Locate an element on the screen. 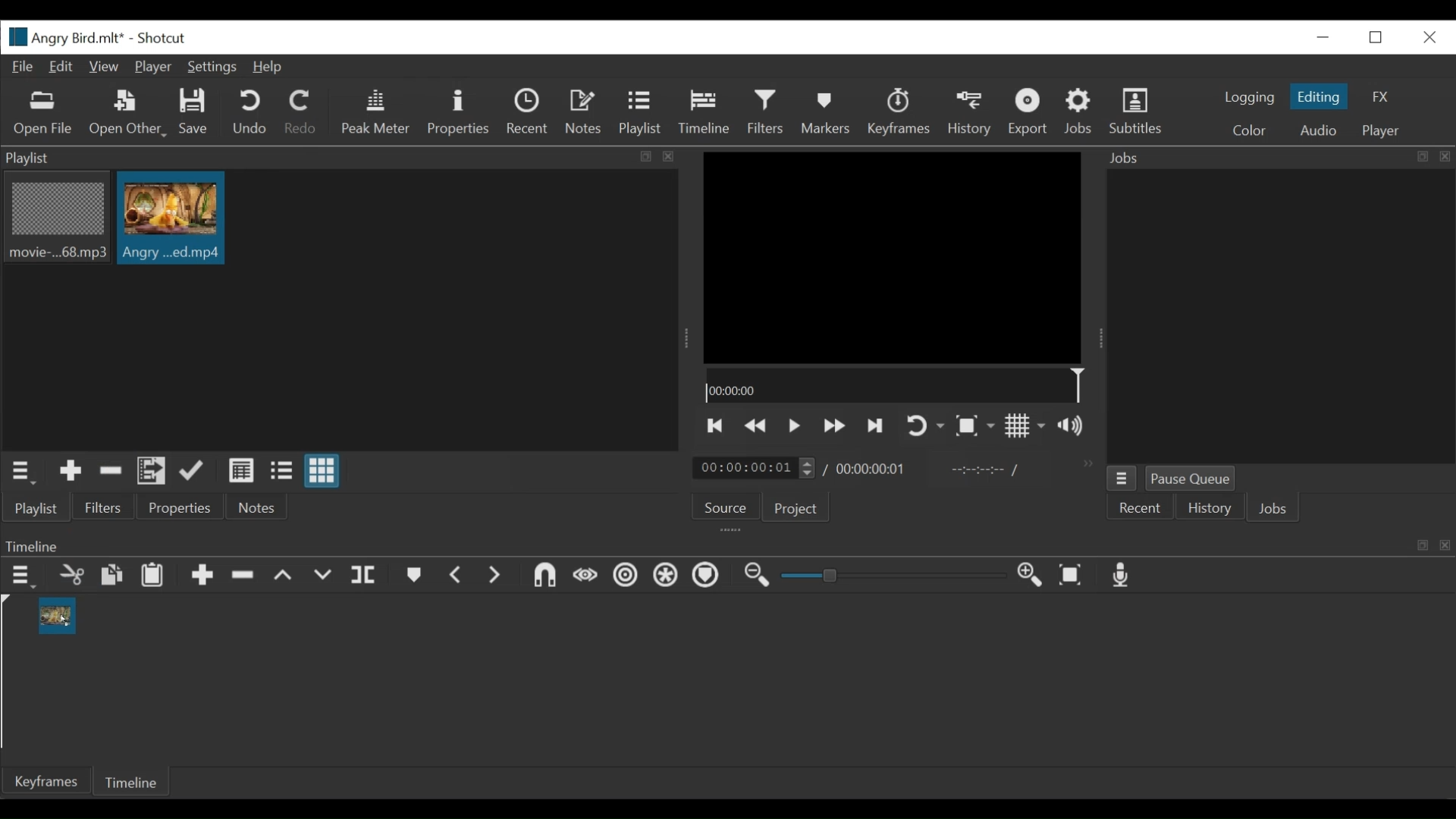  FX is located at coordinates (1382, 96).